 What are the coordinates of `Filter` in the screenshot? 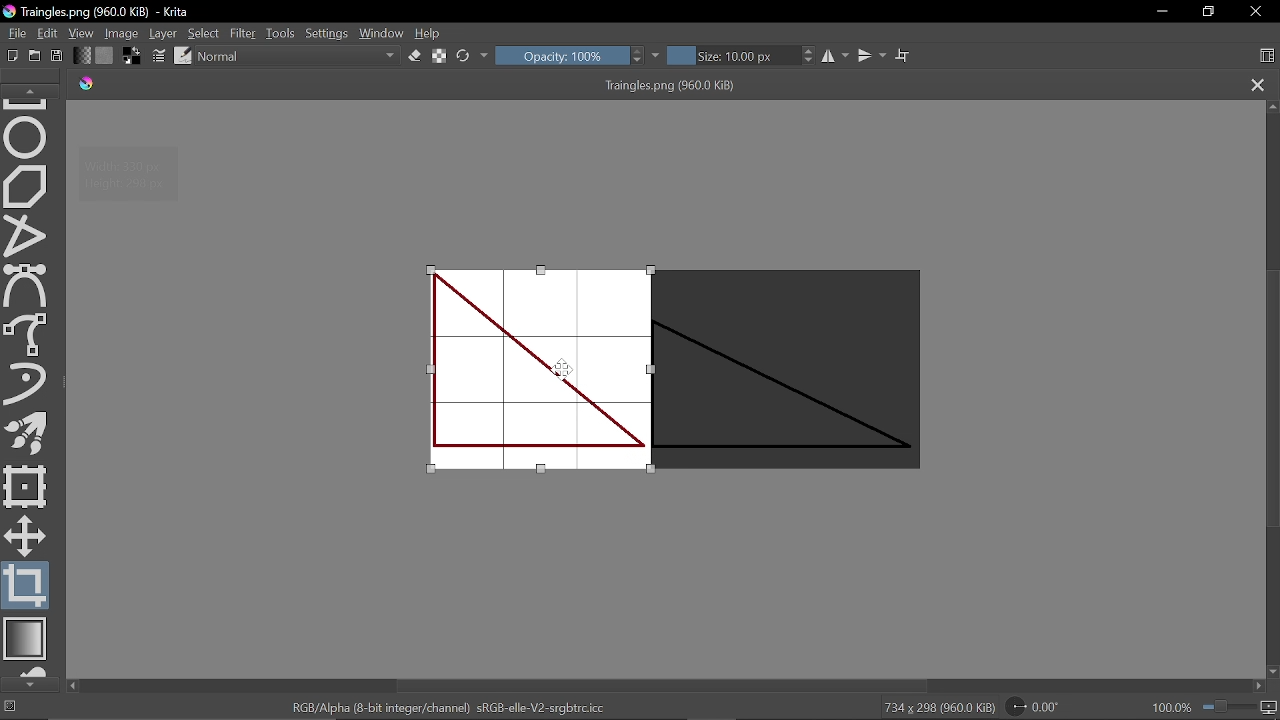 It's located at (242, 33).